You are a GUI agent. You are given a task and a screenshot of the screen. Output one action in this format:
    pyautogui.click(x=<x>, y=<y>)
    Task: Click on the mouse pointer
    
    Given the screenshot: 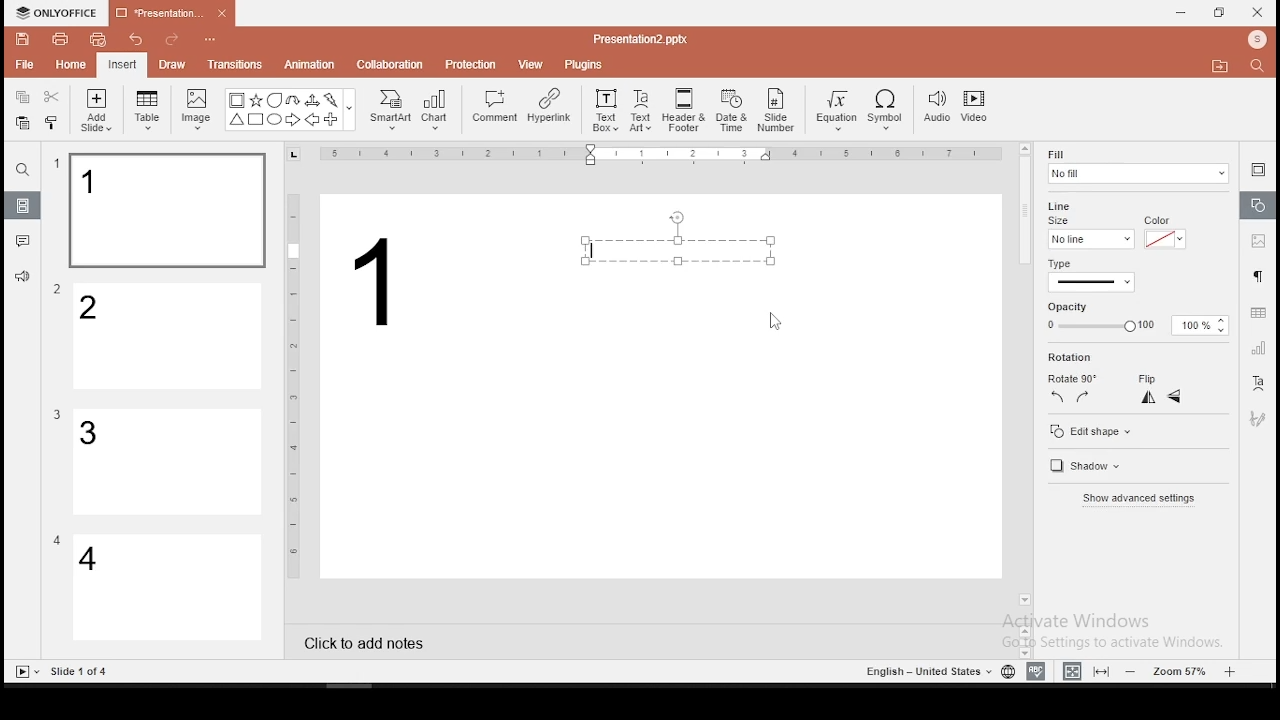 What is the action you would take?
    pyautogui.click(x=777, y=321)
    